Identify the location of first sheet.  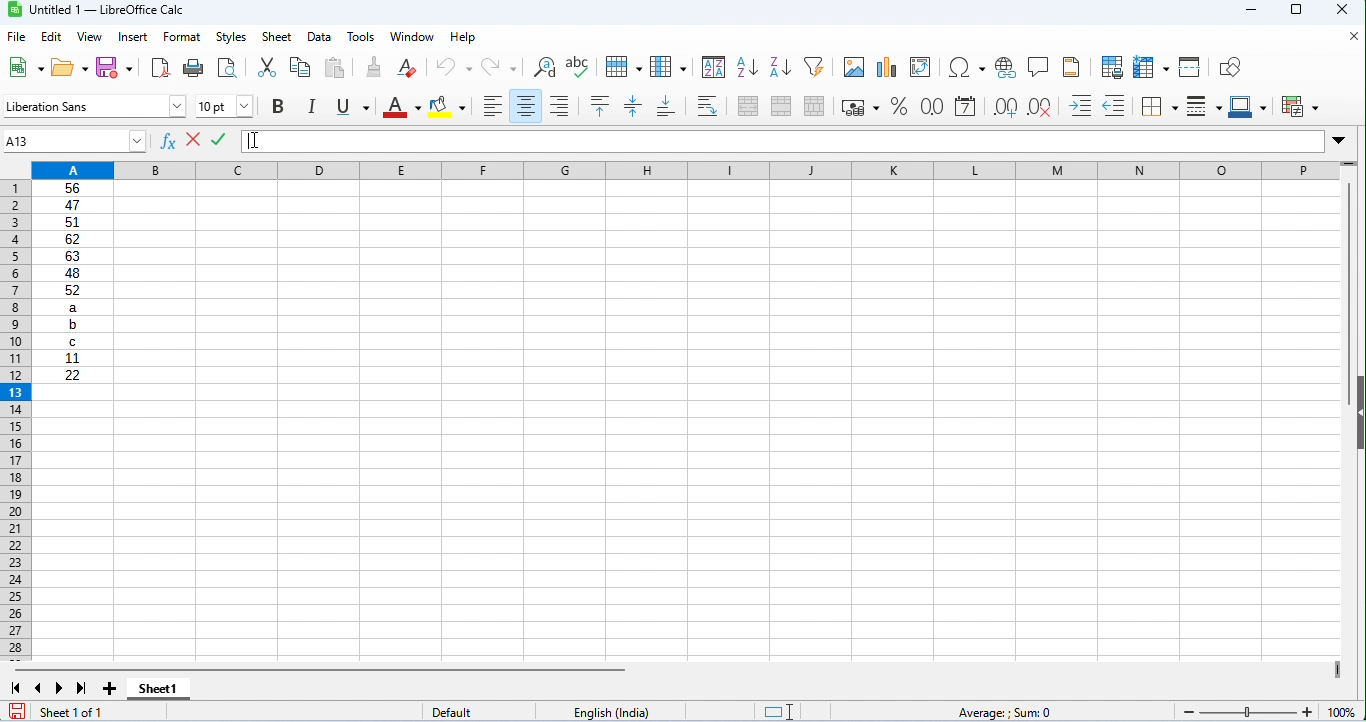
(16, 688).